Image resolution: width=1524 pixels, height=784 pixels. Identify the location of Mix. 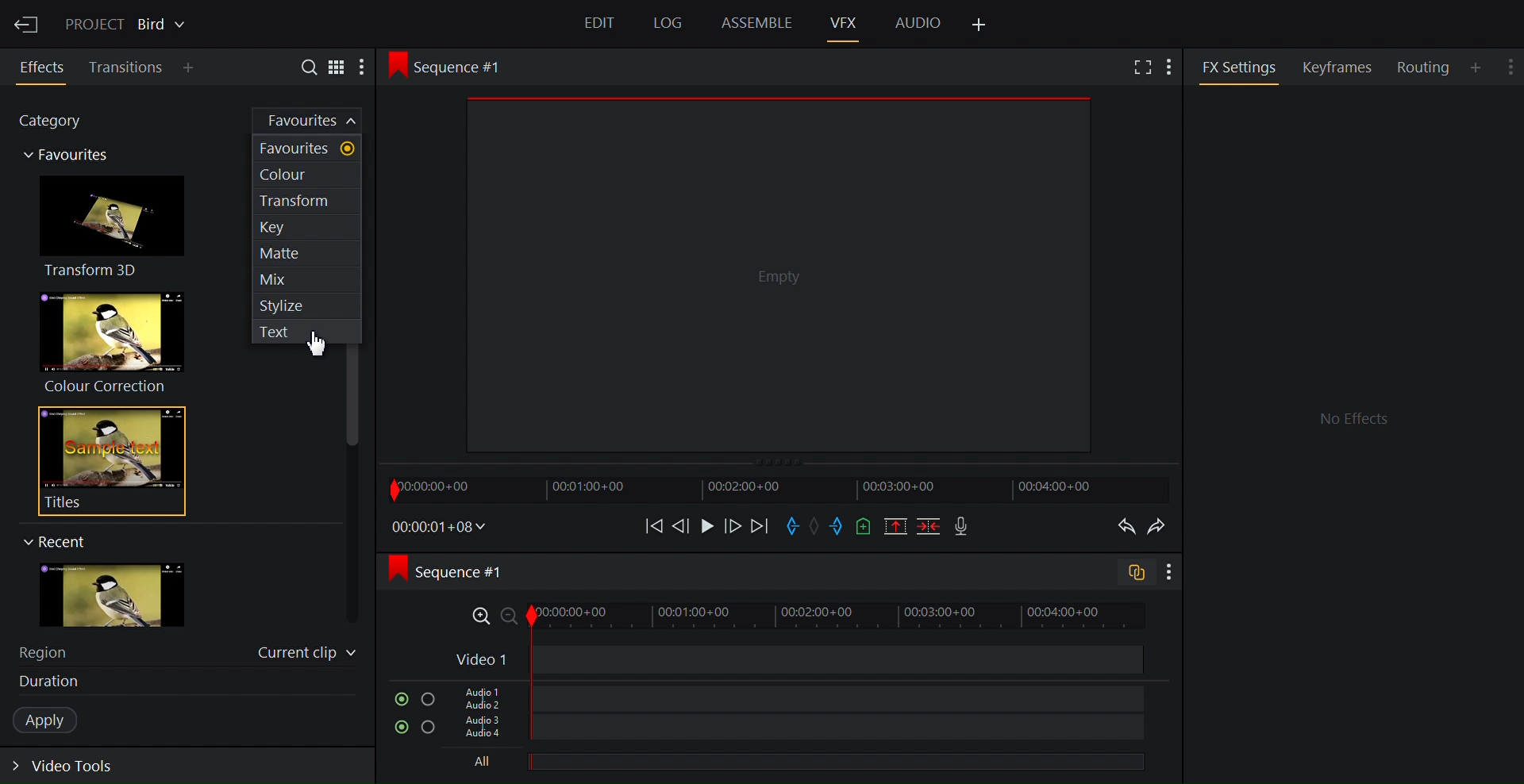
(307, 275).